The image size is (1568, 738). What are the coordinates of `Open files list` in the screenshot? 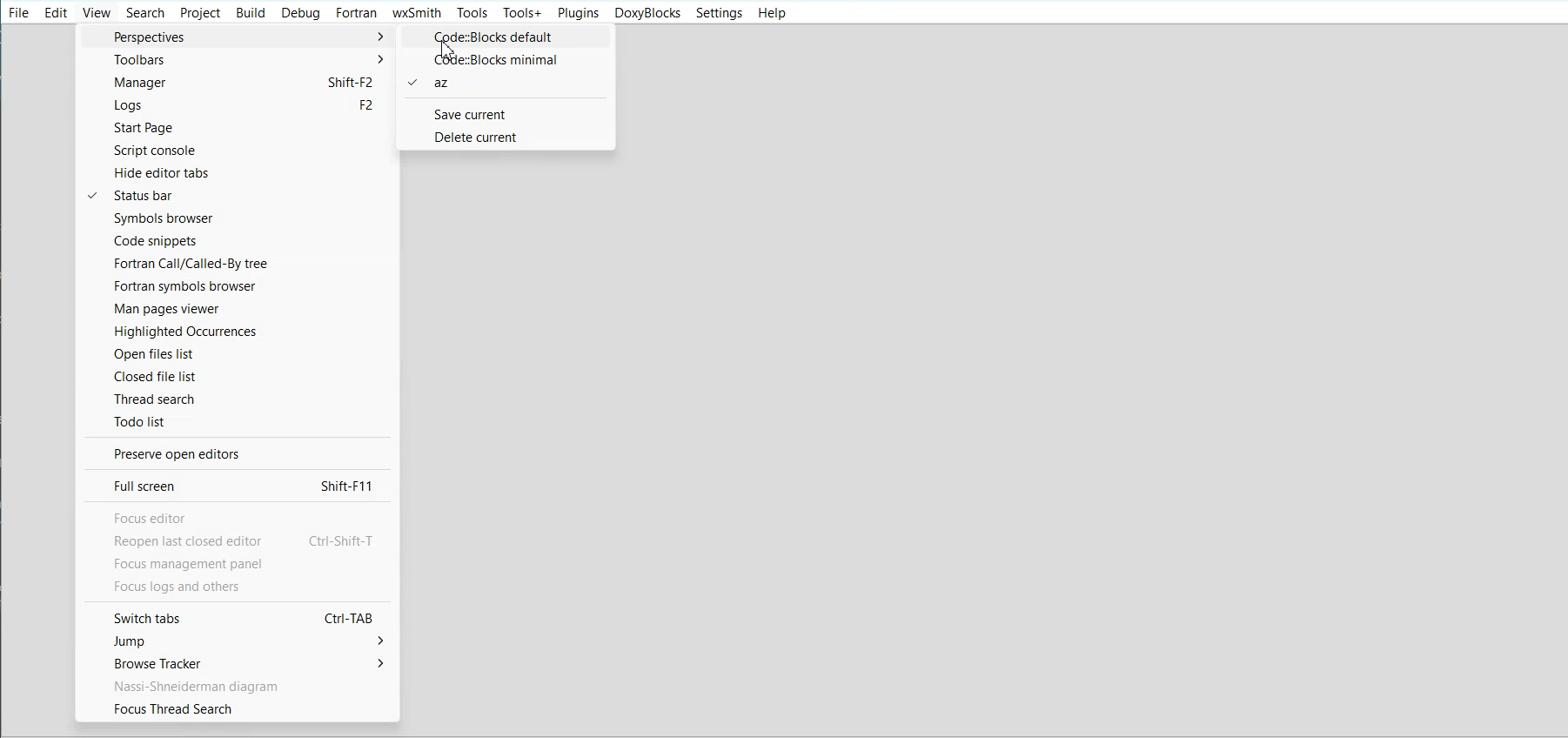 It's located at (237, 353).